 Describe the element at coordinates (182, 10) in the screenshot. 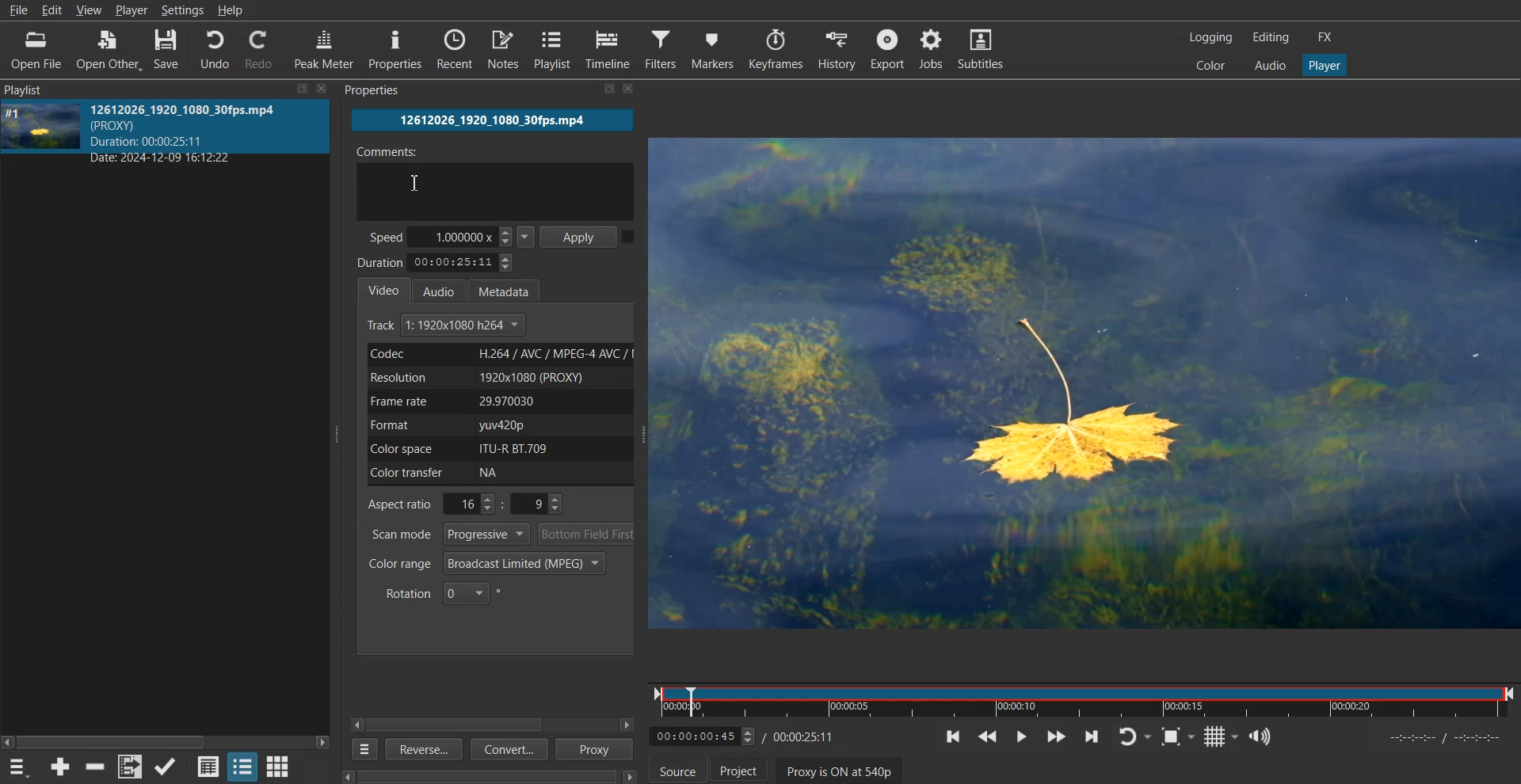

I see `Settings` at that location.